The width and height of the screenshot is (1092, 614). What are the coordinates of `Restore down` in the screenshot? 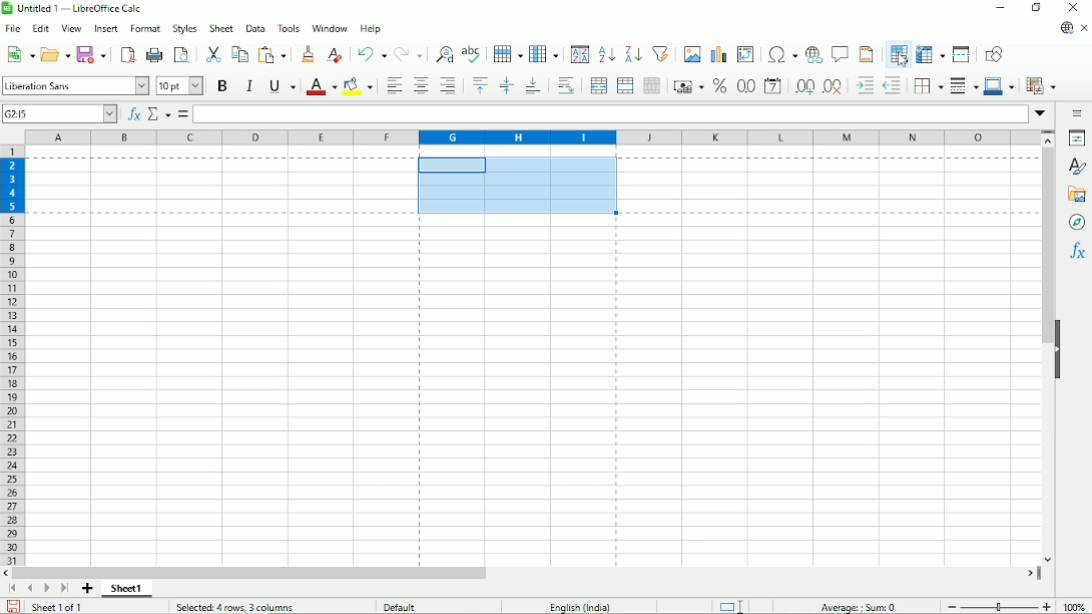 It's located at (1037, 9).